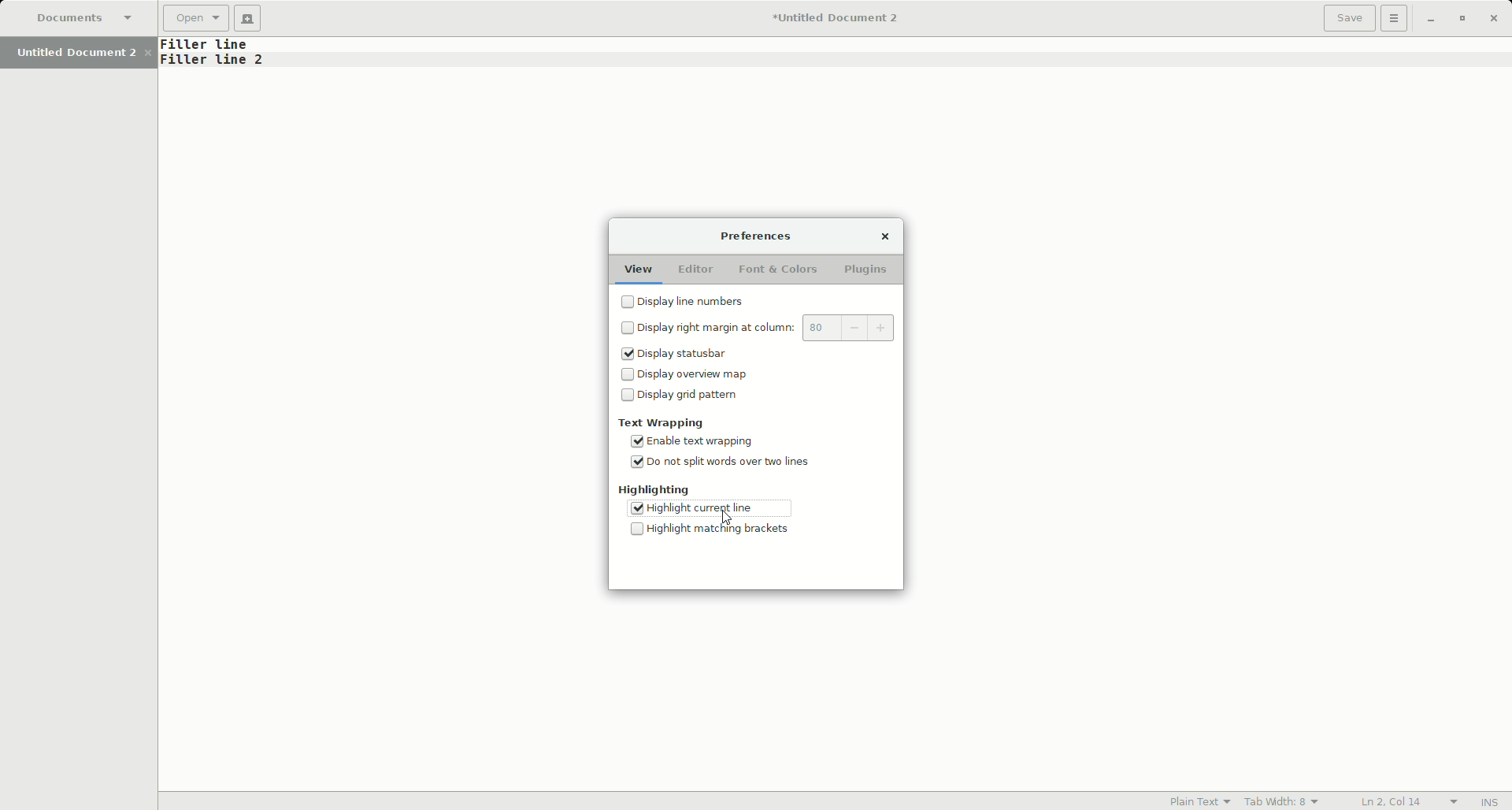 The height and width of the screenshot is (810, 1512). I want to click on INS, so click(1491, 802).